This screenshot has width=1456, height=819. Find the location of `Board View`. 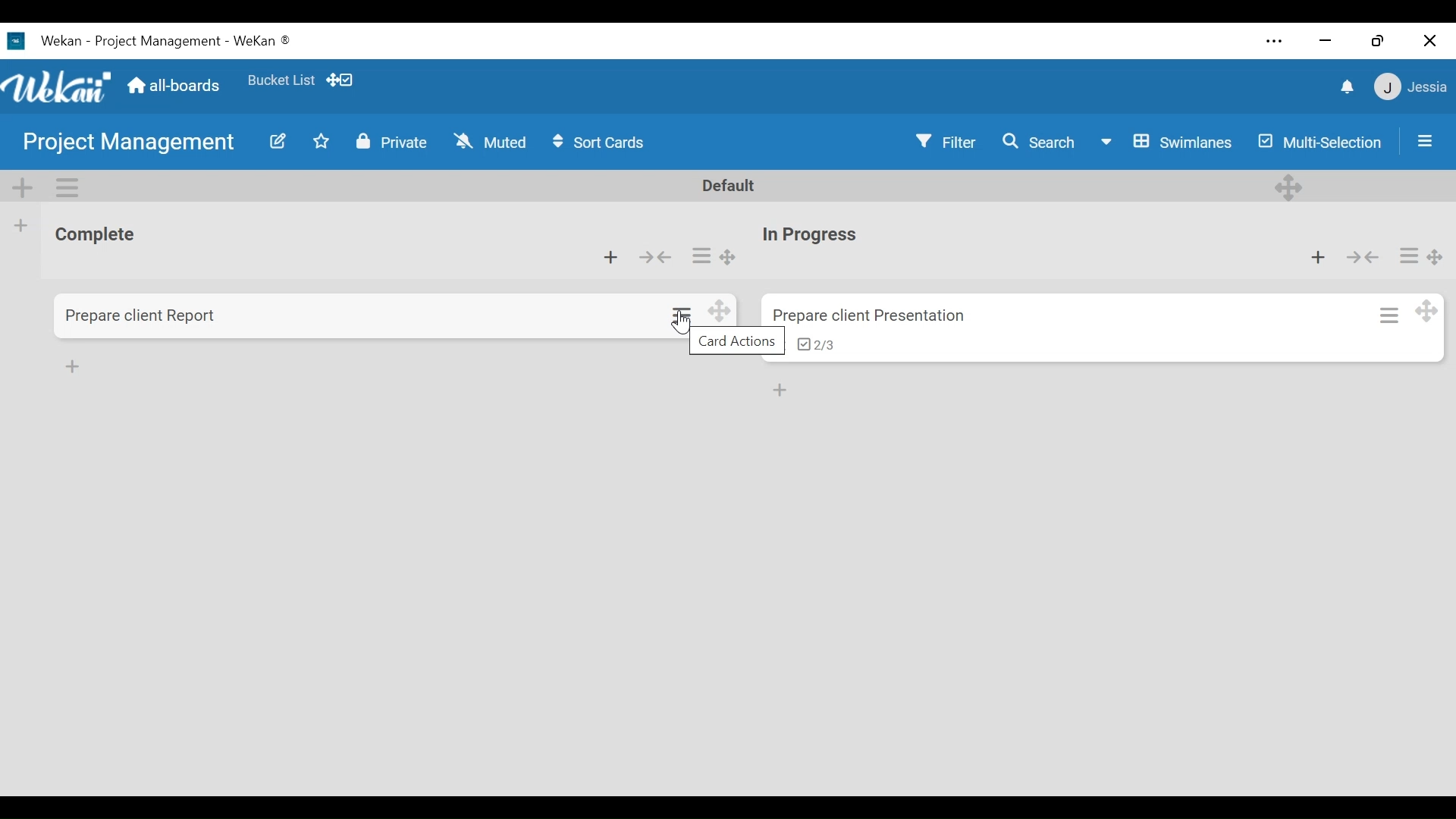

Board View is located at coordinates (1166, 141).